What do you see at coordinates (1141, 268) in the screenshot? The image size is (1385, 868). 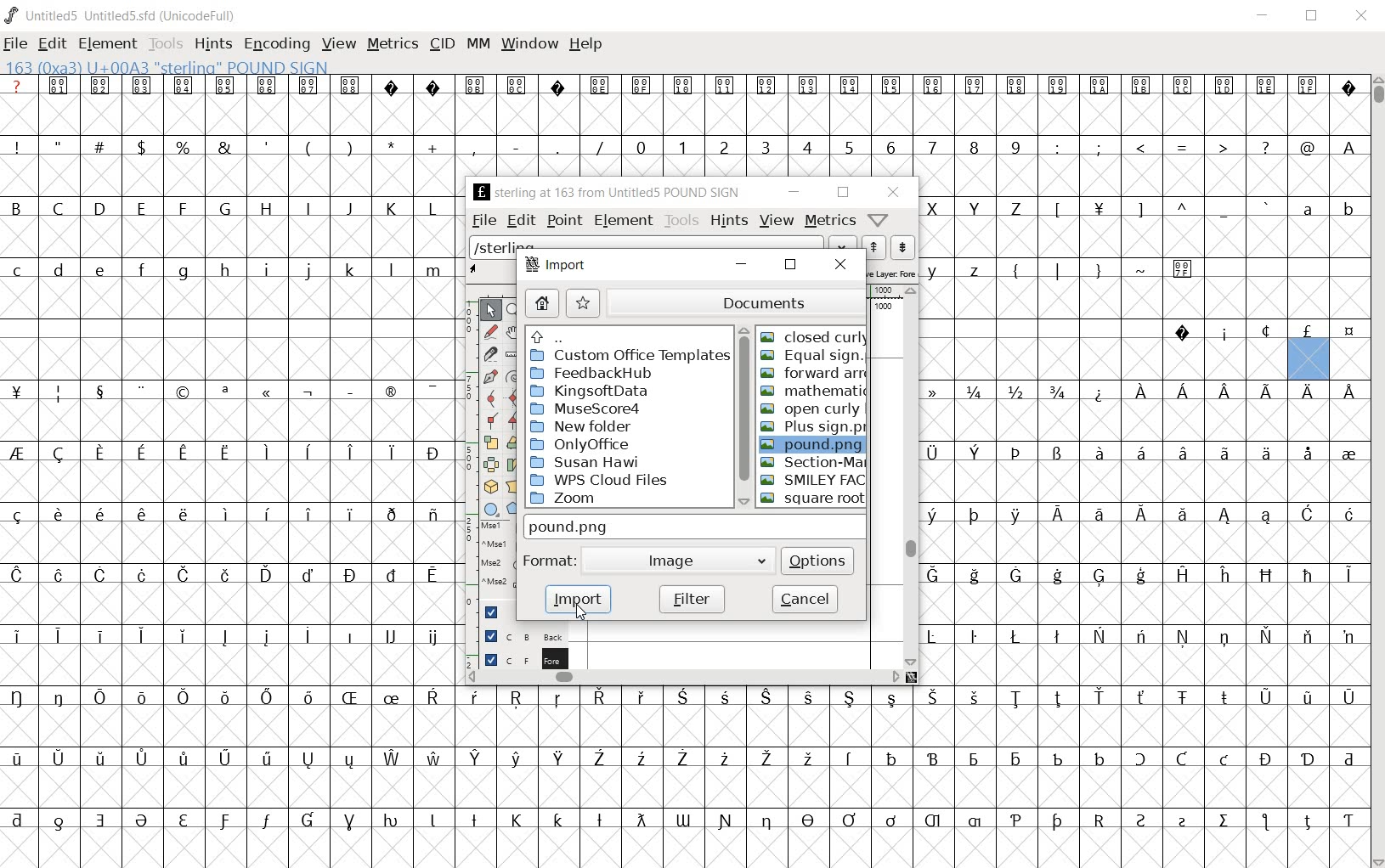 I see `~` at bounding box center [1141, 268].